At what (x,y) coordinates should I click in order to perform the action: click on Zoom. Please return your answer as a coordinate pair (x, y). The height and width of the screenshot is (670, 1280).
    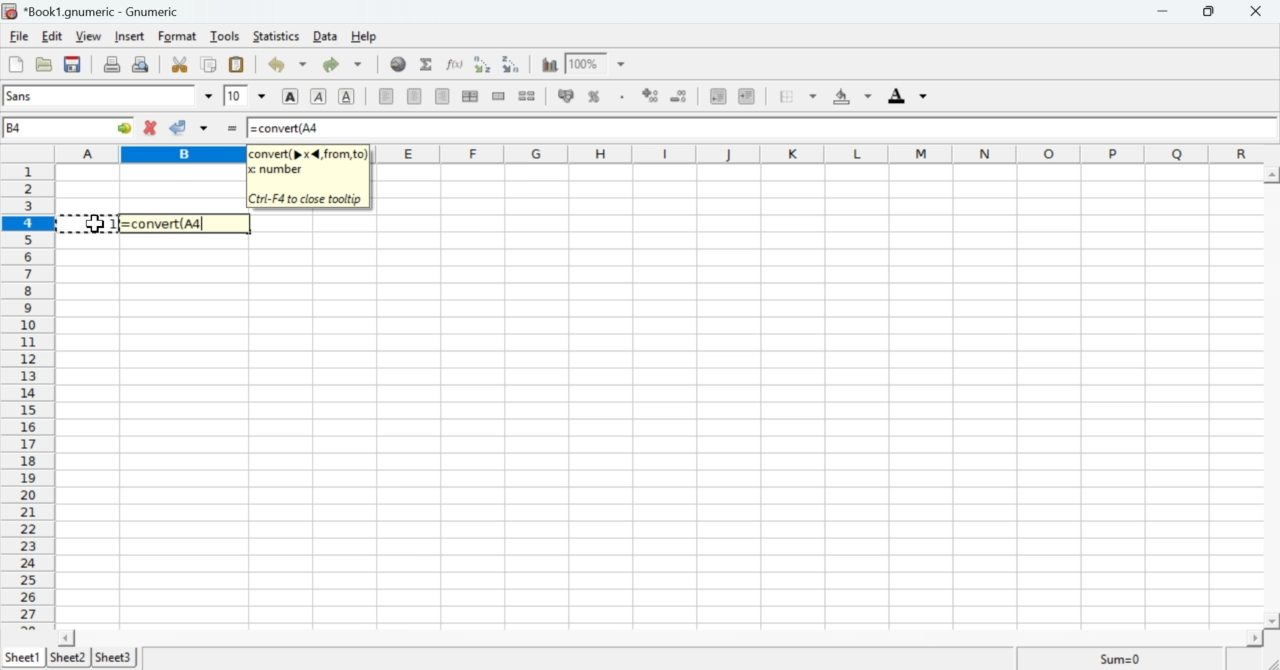
    Looking at the image, I should click on (598, 61).